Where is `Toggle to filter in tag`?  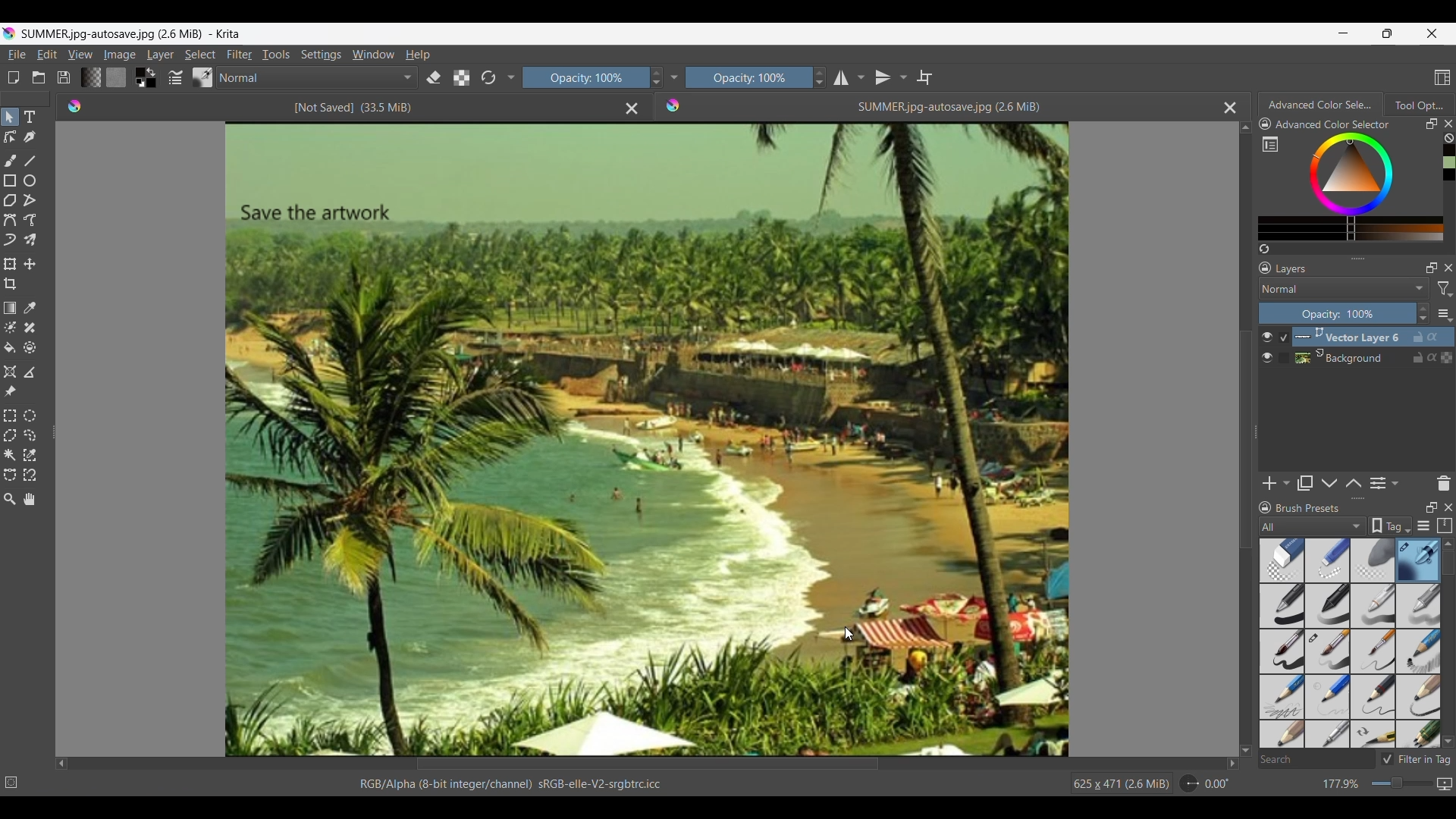 Toggle to filter in tag is located at coordinates (1416, 759).